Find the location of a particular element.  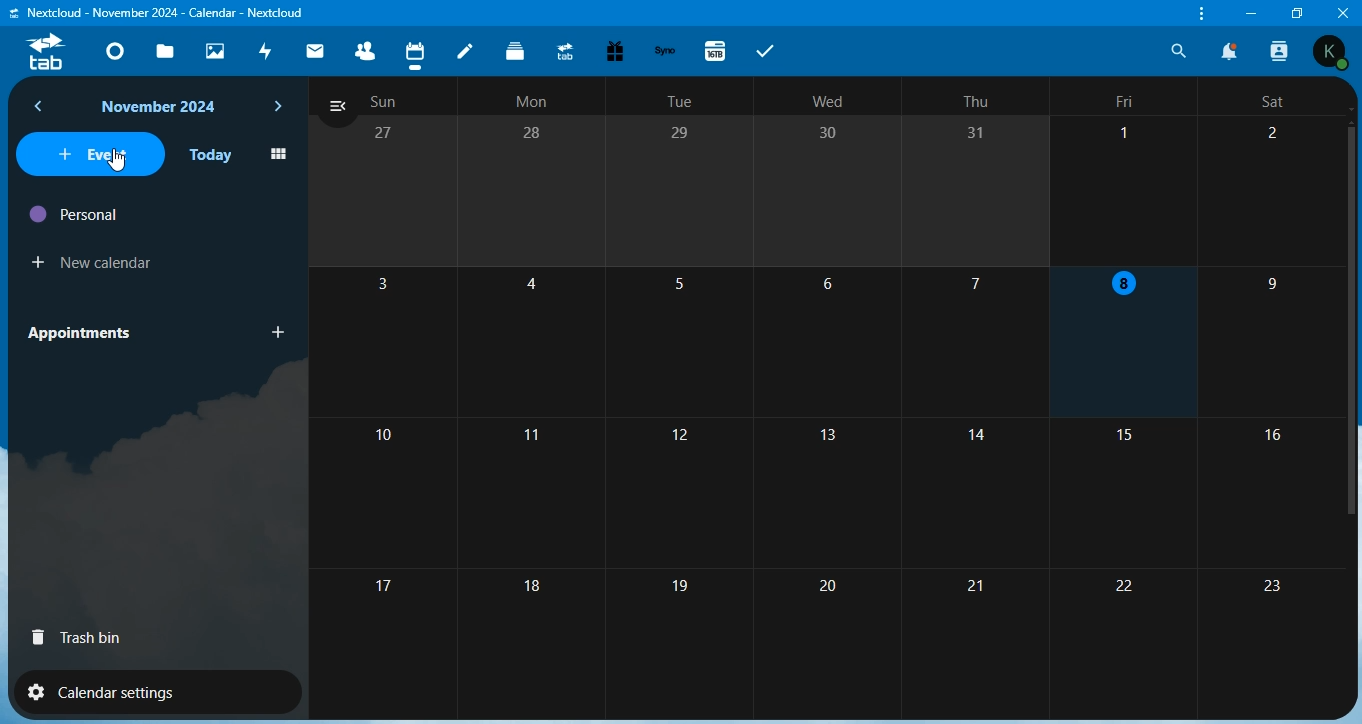

customize and control nextcloud is located at coordinates (1202, 15).